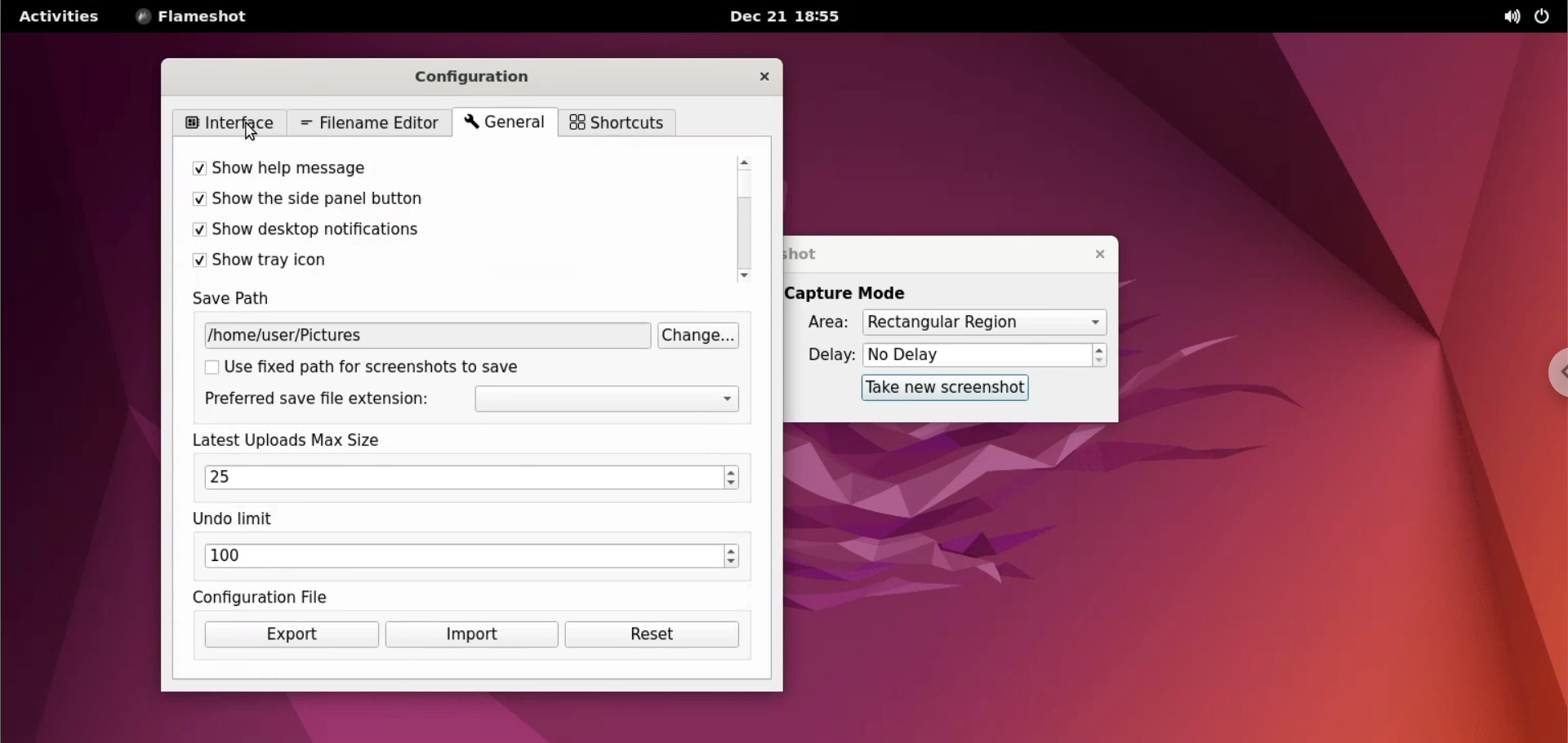 This screenshot has width=1568, height=743. I want to click on increment or decrement undo limit, so click(736, 557).